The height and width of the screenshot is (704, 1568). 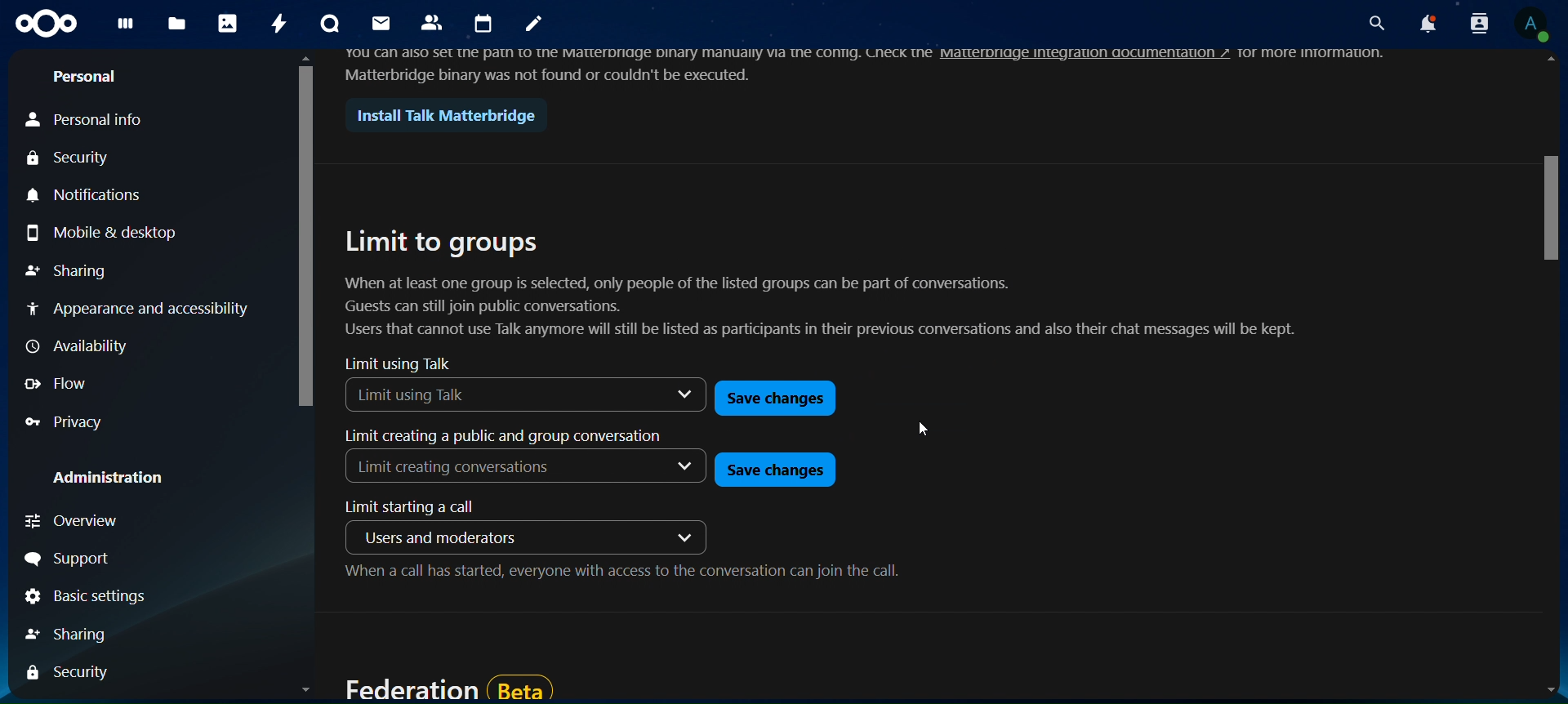 What do you see at coordinates (772, 469) in the screenshot?
I see `save changes` at bounding box center [772, 469].